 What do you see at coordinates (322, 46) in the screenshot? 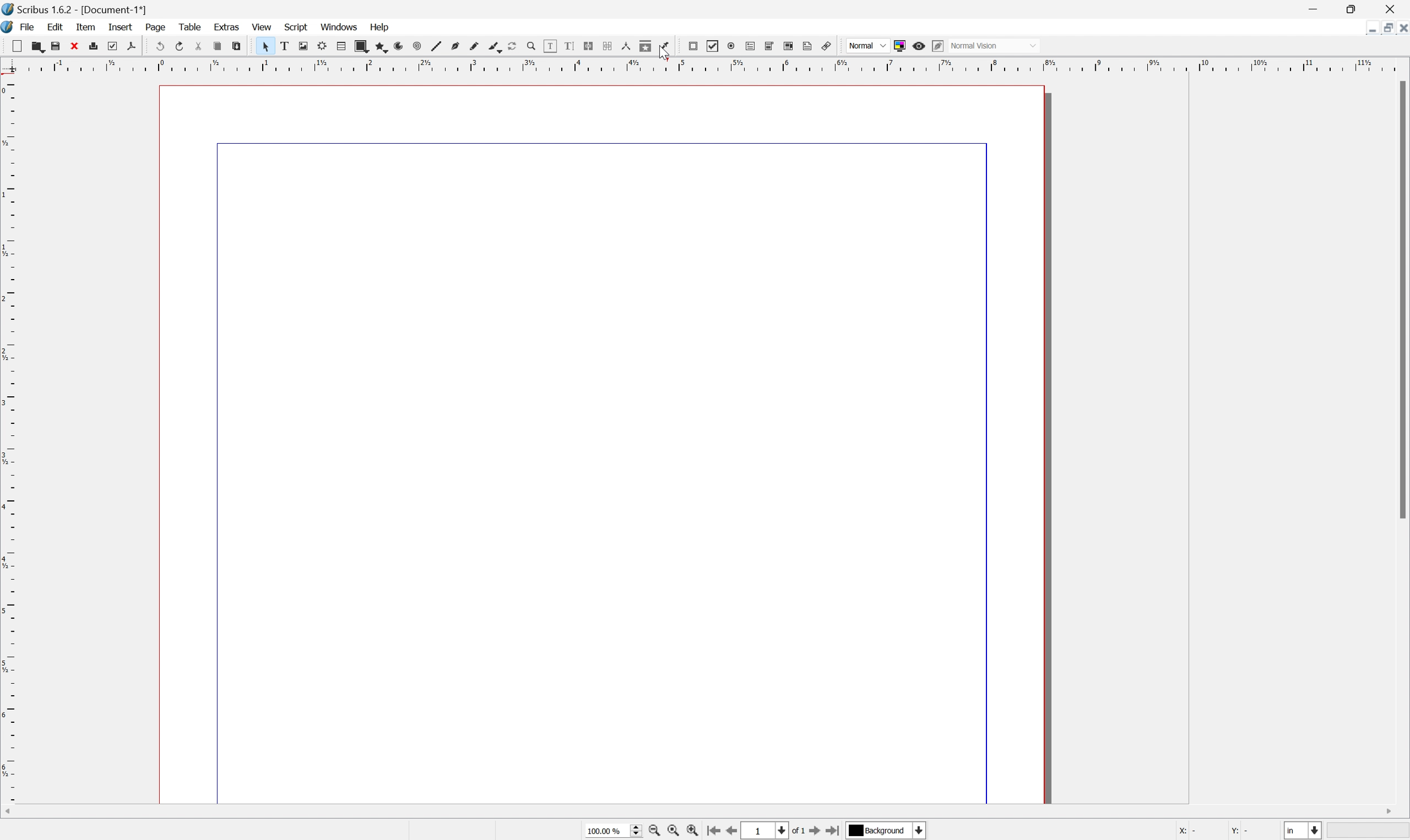
I see `render frame` at bounding box center [322, 46].